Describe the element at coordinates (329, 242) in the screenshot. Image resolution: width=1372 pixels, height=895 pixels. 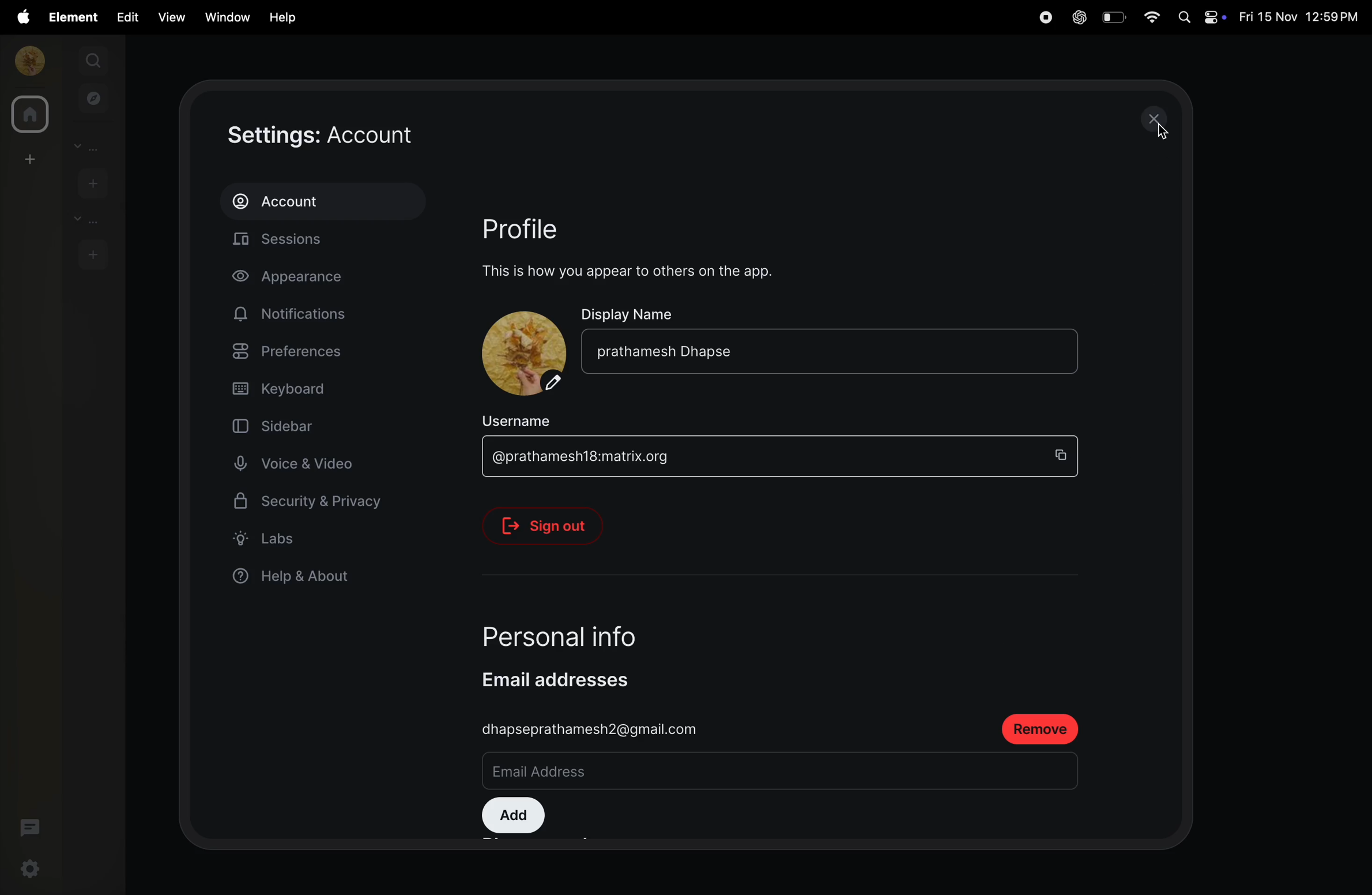
I see `sessions` at that location.